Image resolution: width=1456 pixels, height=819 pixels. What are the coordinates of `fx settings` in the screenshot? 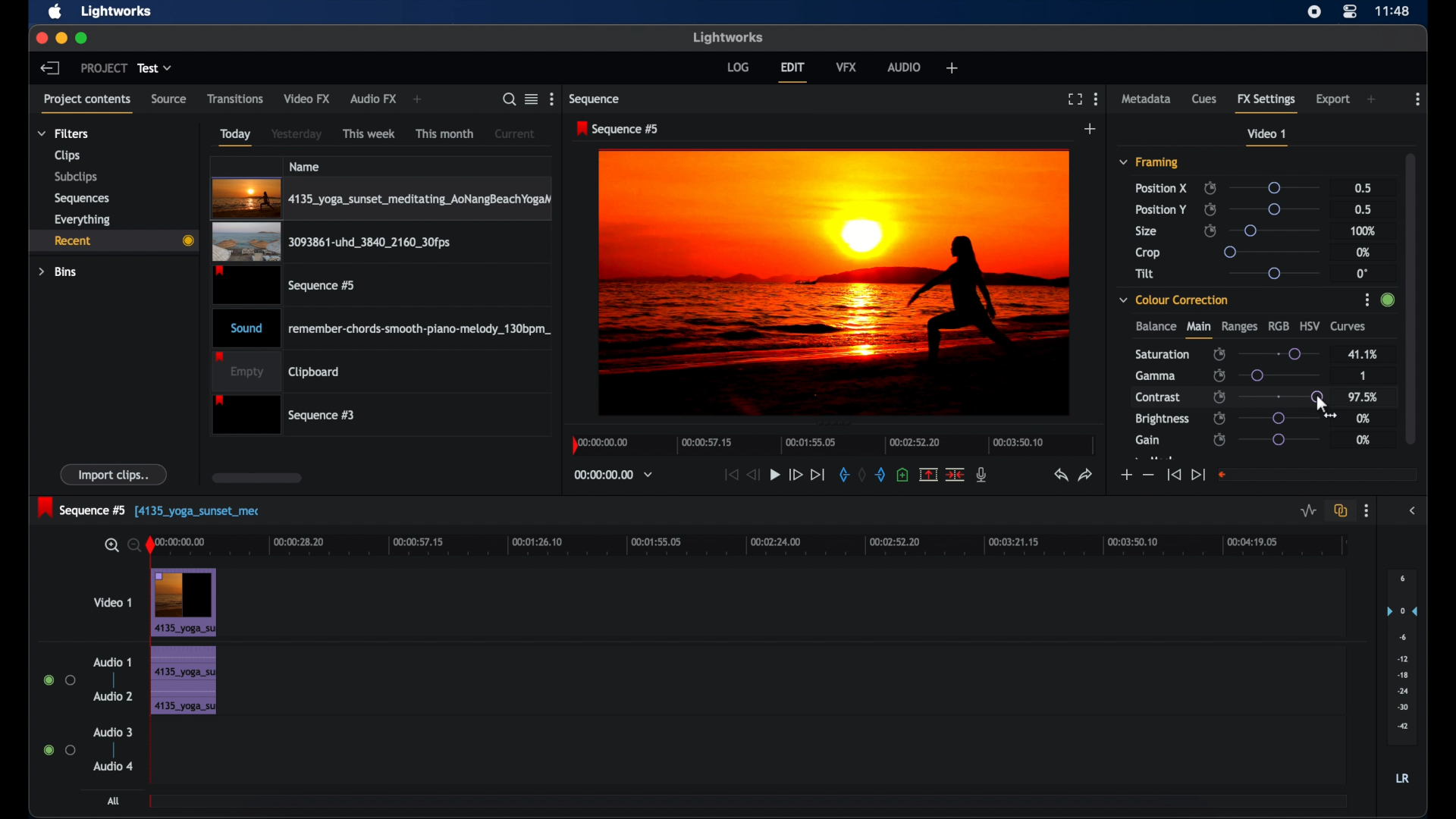 It's located at (1268, 102).